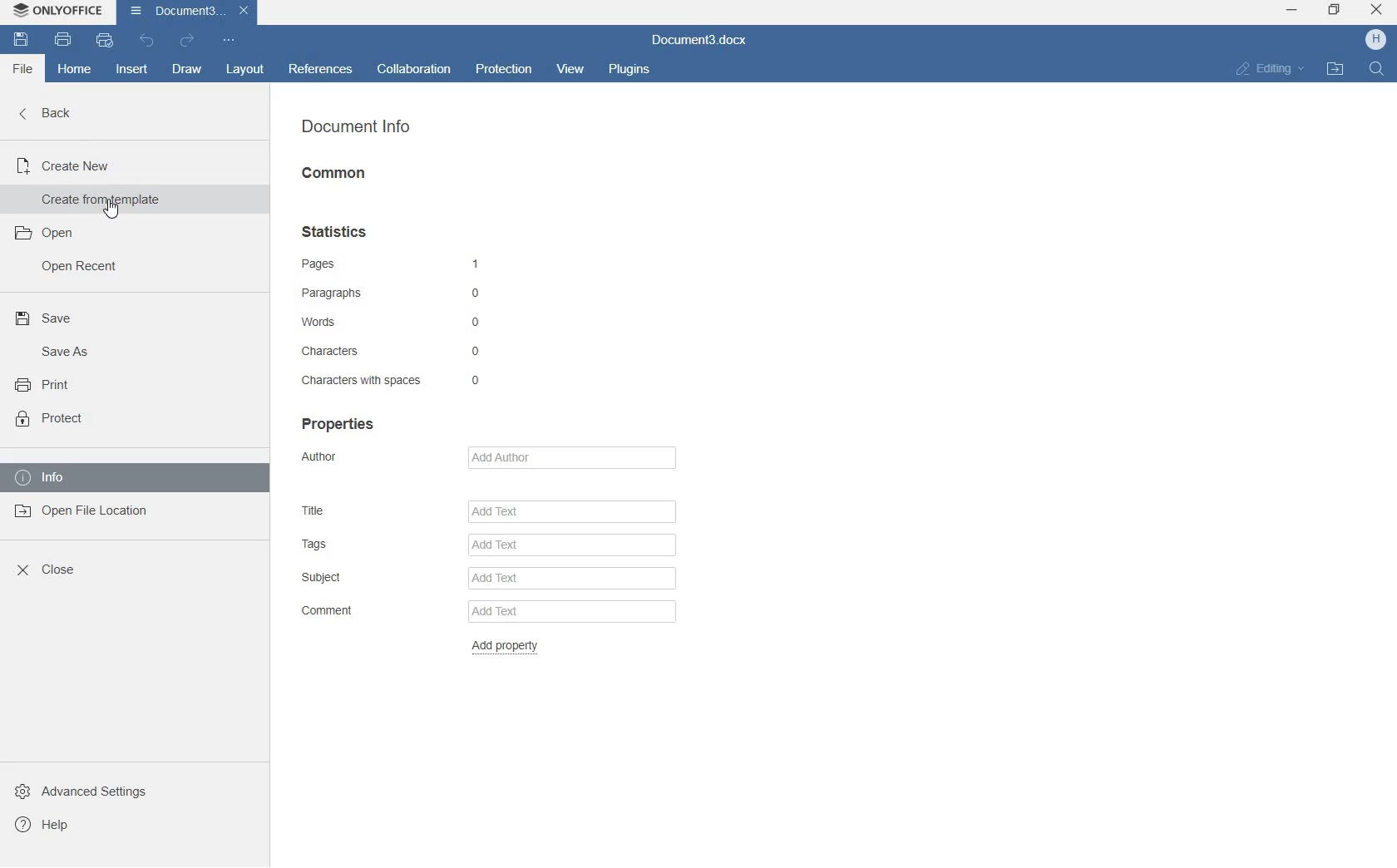  Describe the element at coordinates (230, 40) in the screenshot. I see `customize quick access toolbar` at that location.